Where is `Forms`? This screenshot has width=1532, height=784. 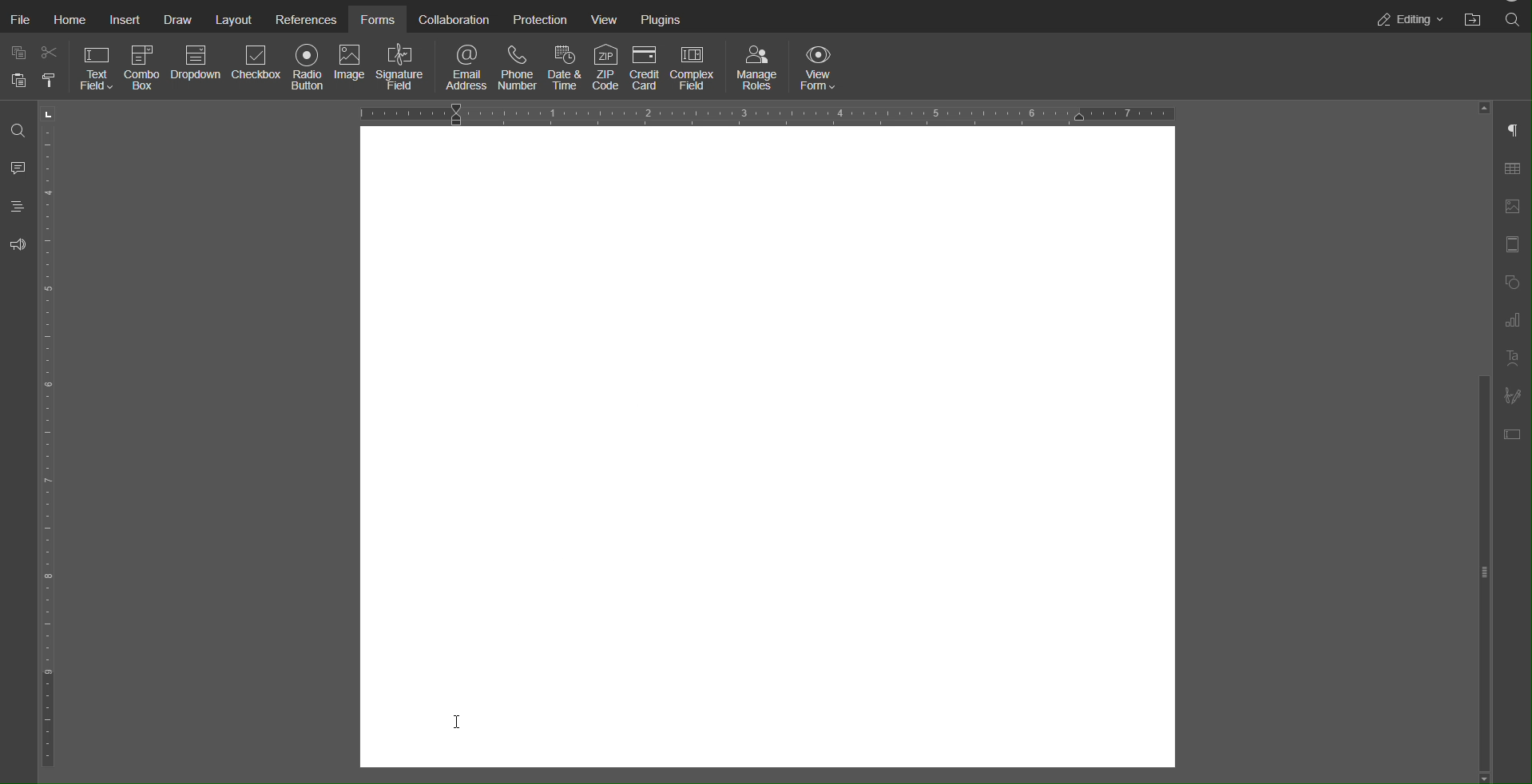 Forms is located at coordinates (376, 18).